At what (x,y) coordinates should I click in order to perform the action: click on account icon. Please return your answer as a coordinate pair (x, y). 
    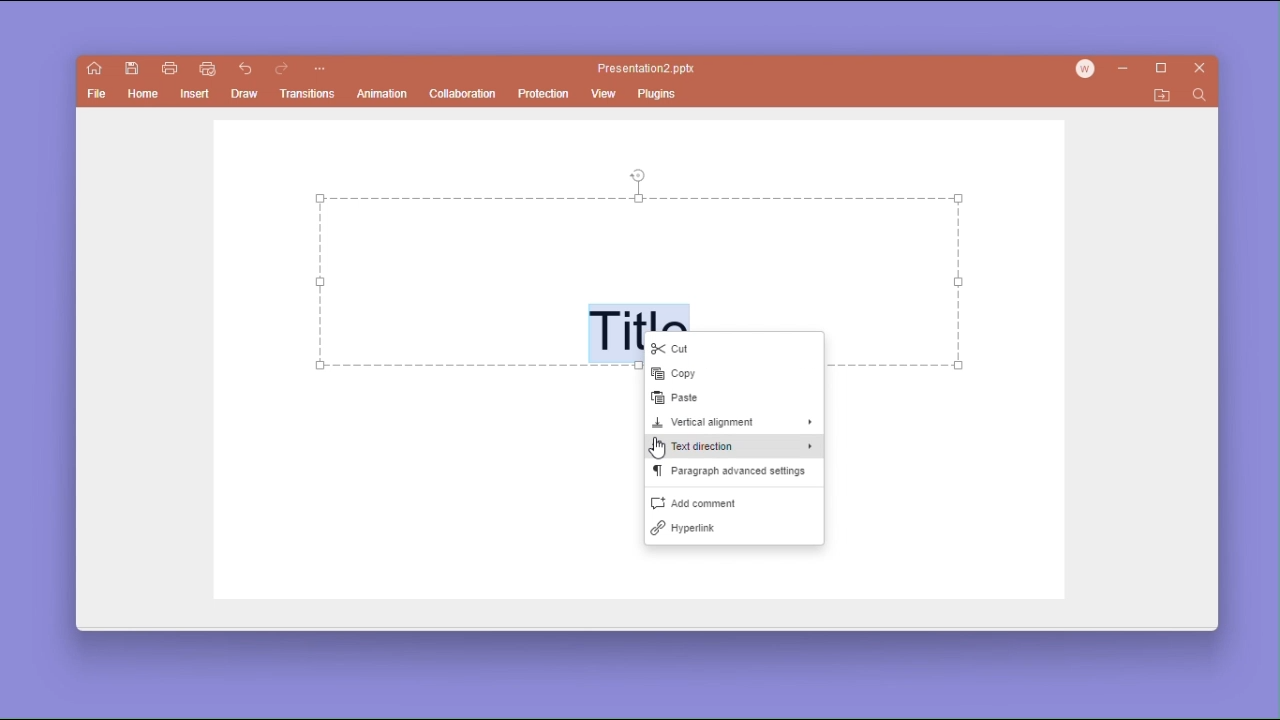
    Looking at the image, I should click on (1089, 69).